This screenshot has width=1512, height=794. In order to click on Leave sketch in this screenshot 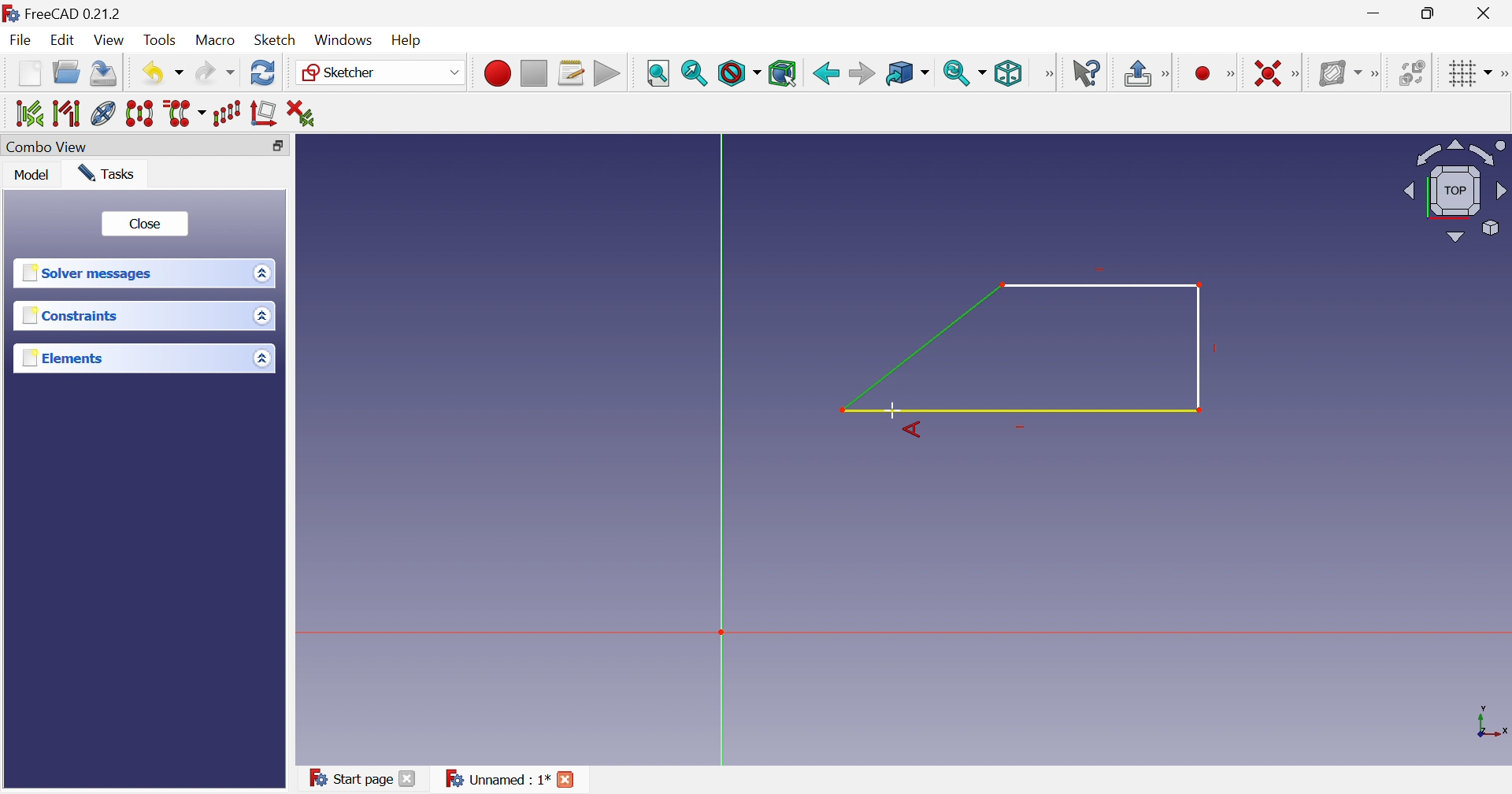, I will do `click(1136, 75)`.